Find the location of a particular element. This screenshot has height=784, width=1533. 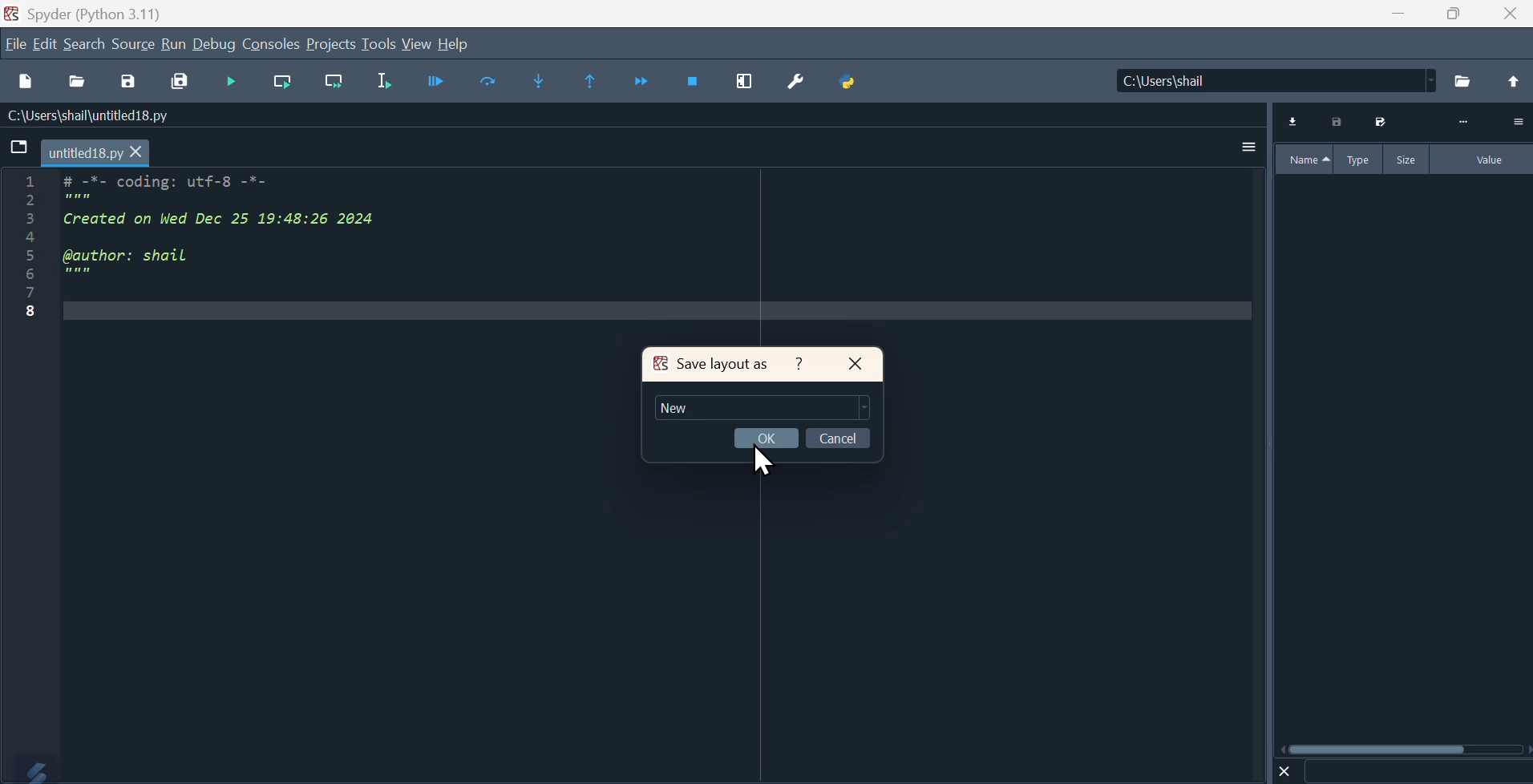

Cancel is located at coordinates (839, 438).